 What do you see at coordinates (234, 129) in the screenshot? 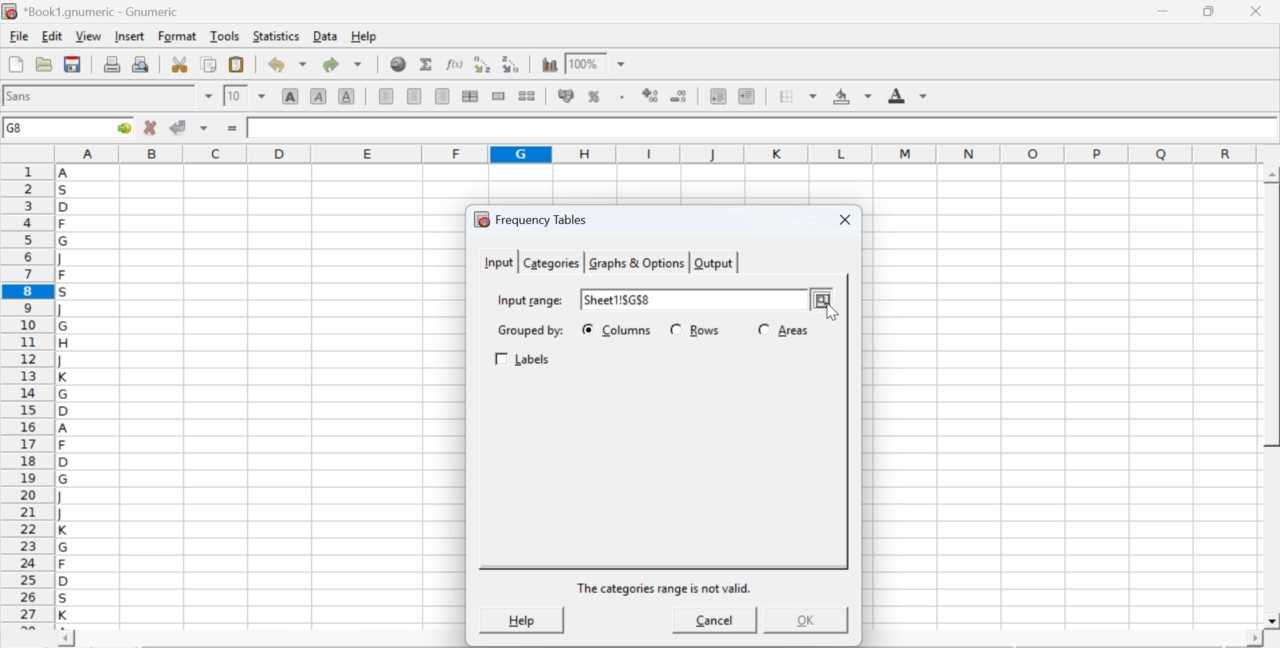
I see `enter formula` at bounding box center [234, 129].